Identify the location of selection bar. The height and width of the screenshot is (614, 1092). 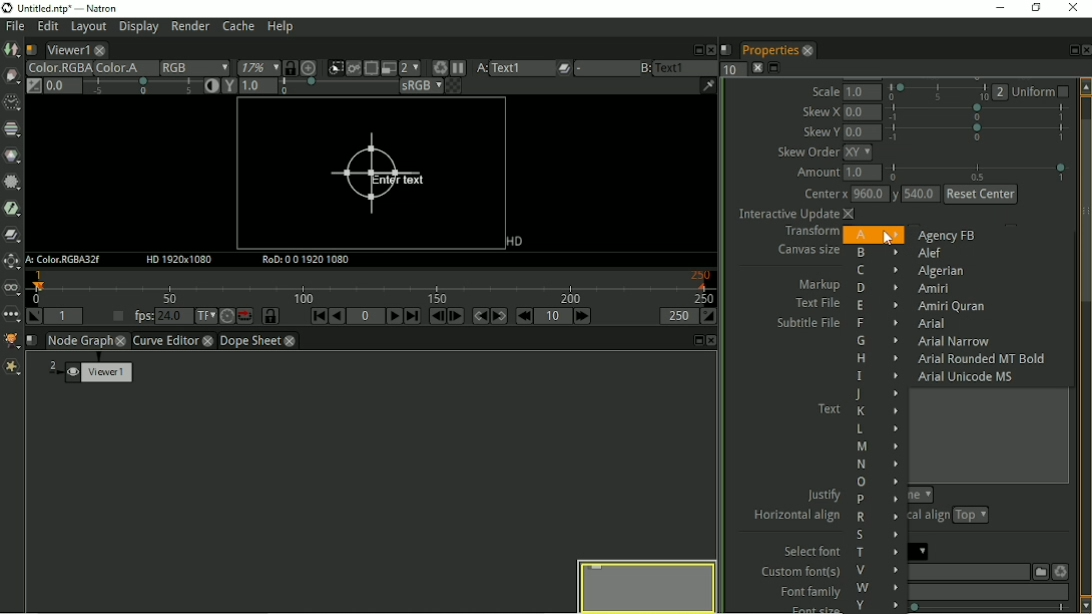
(991, 608).